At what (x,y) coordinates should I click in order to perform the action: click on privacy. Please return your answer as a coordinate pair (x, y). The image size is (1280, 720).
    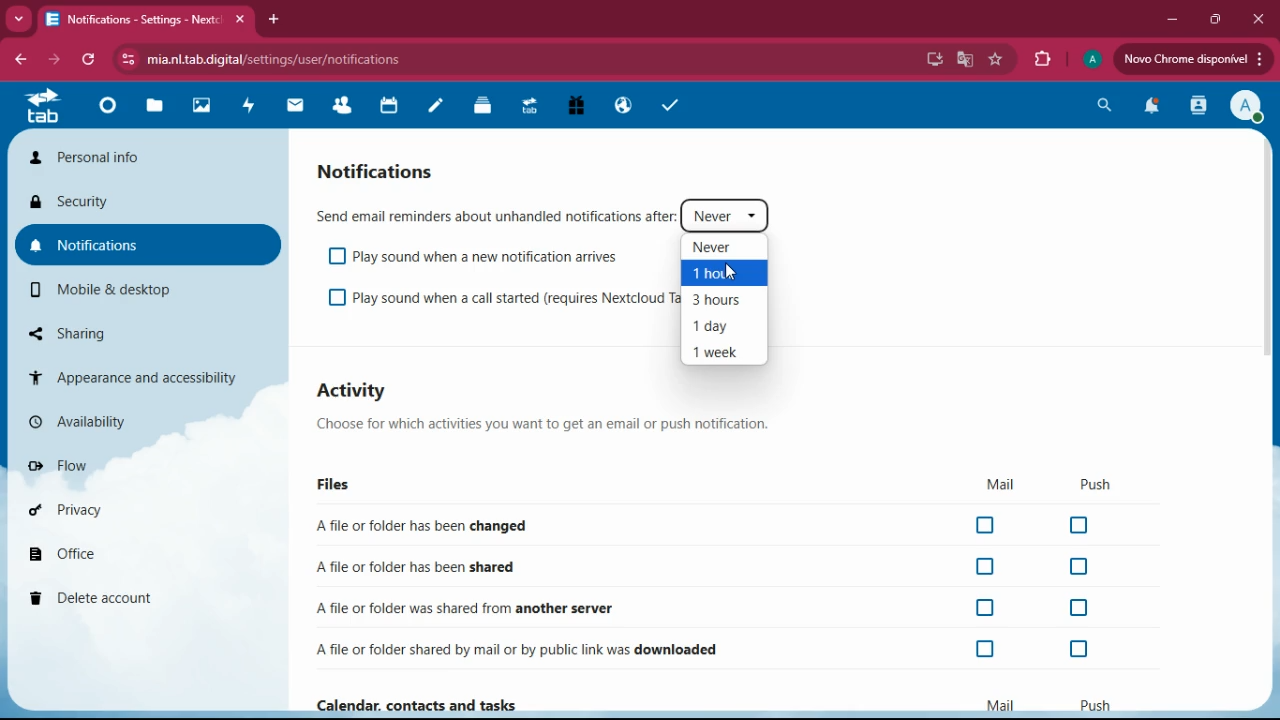
    Looking at the image, I should click on (125, 511).